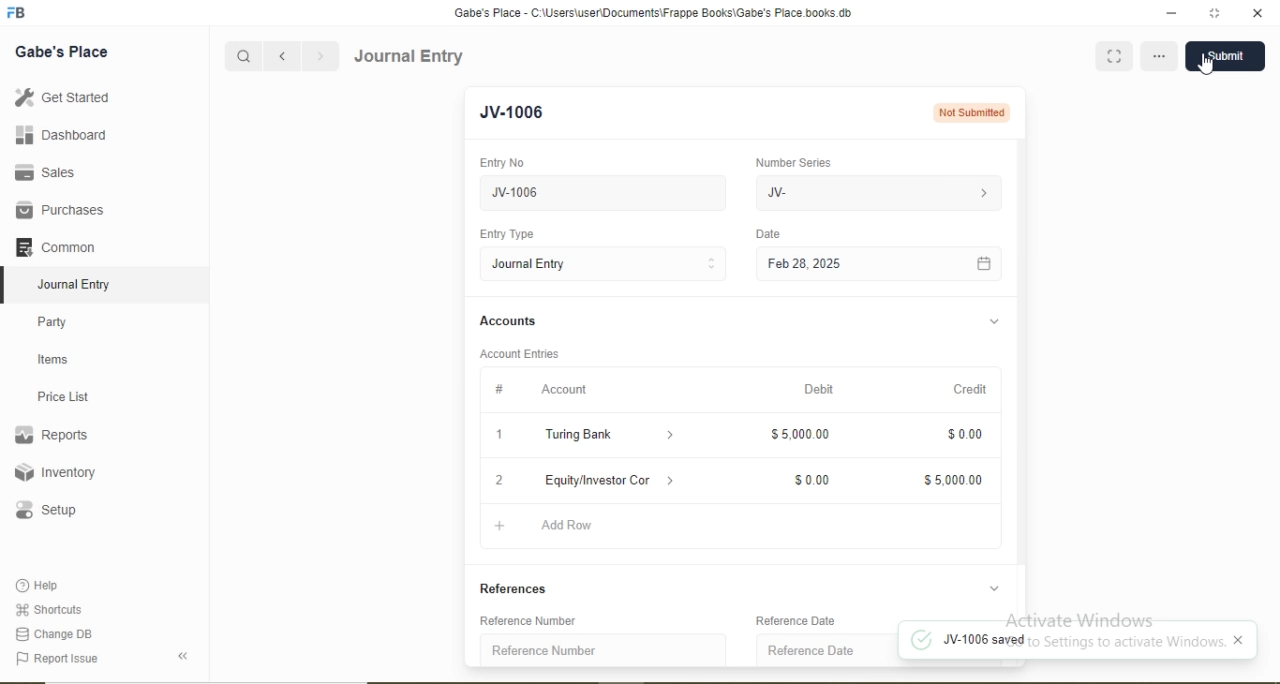 Image resolution: width=1280 pixels, height=684 pixels. What do you see at coordinates (819, 389) in the screenshot?
I see `Debit` at bounding box center [819, 389].